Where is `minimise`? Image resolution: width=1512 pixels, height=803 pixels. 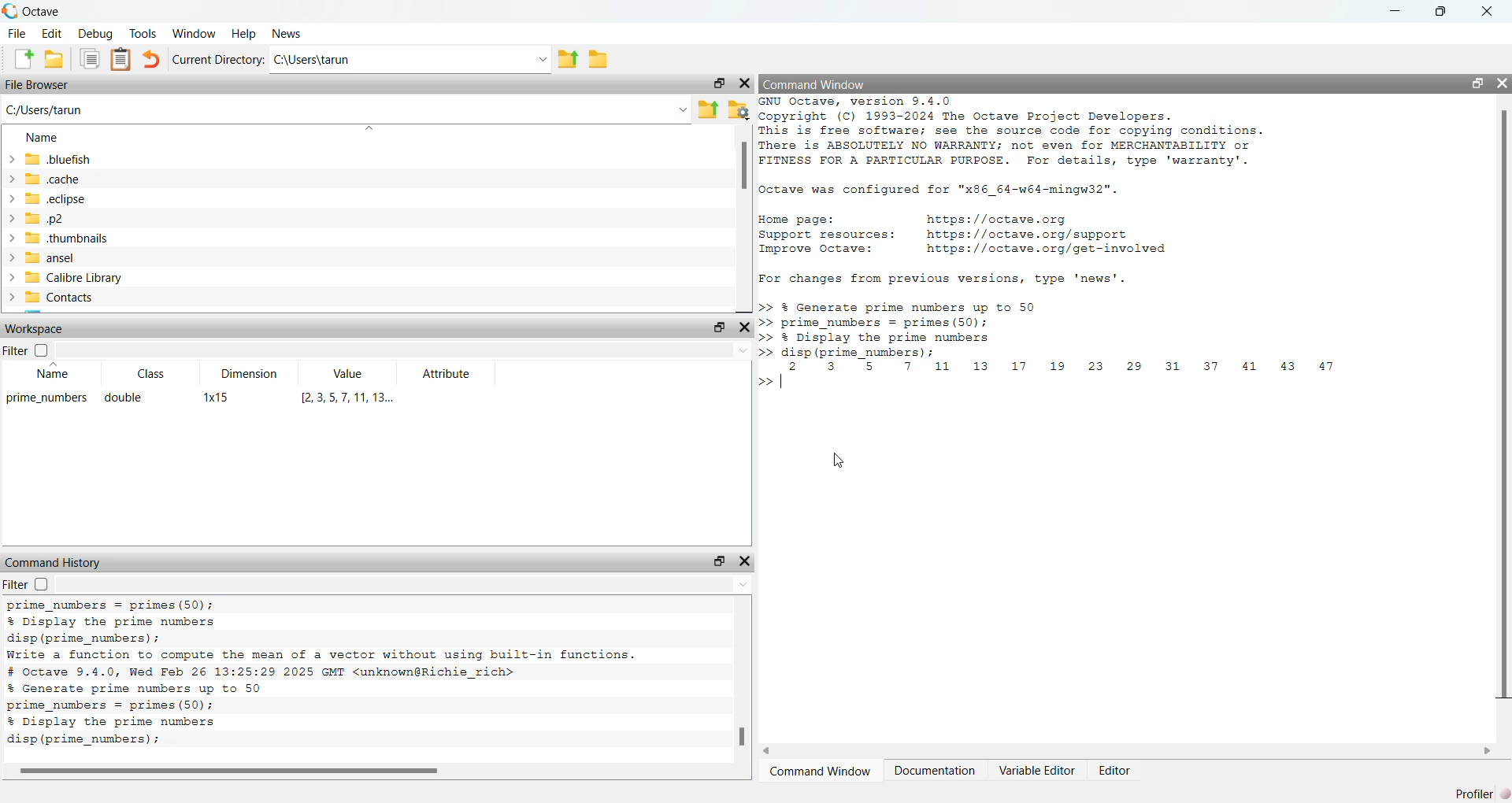 minimise is located at coordinates (1395, 9).